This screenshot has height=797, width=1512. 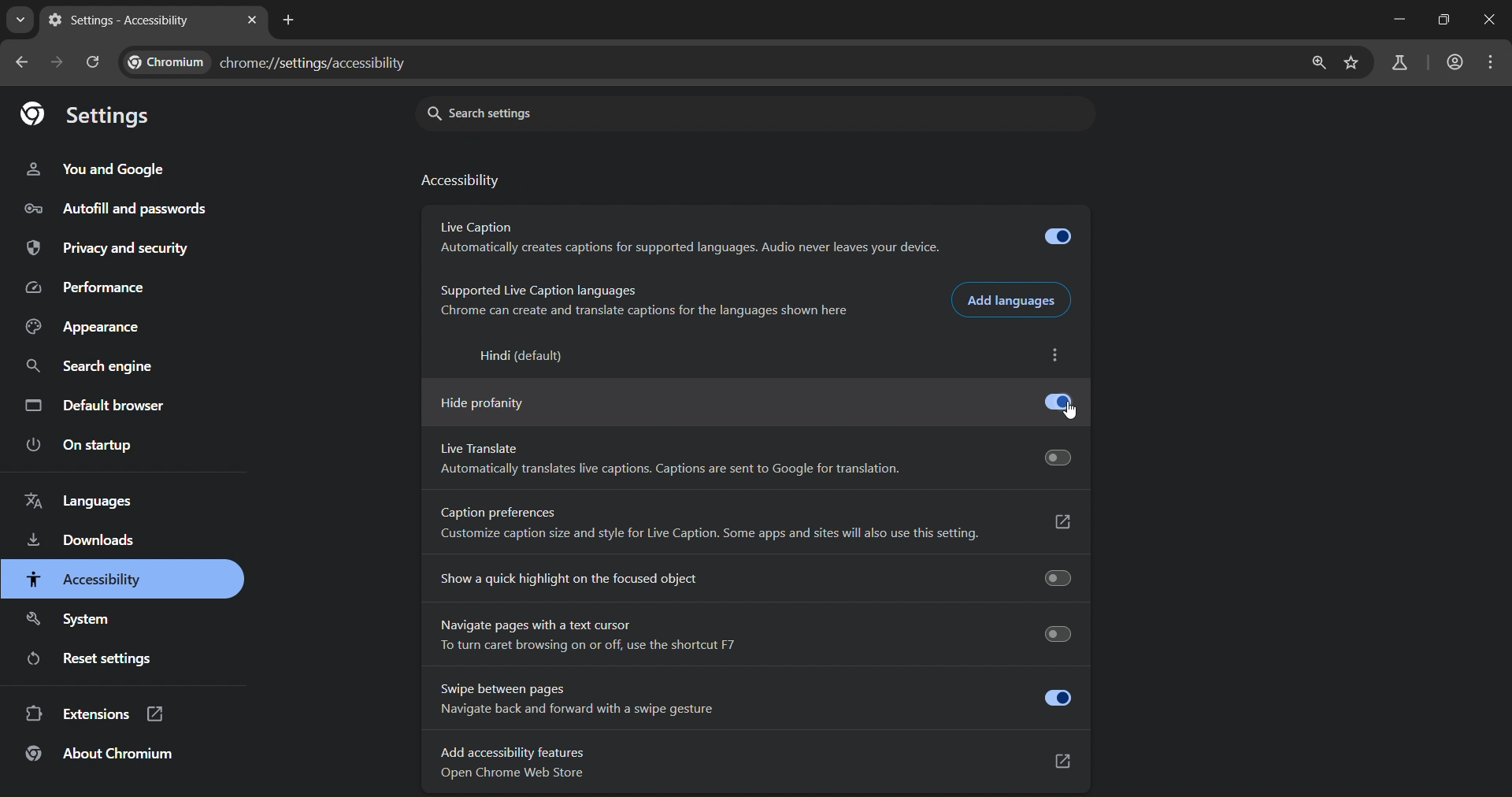 What do you see at coordinates (755, 404) in the screenshot?
I see `hide profanity` at bounding box center [755, 404].